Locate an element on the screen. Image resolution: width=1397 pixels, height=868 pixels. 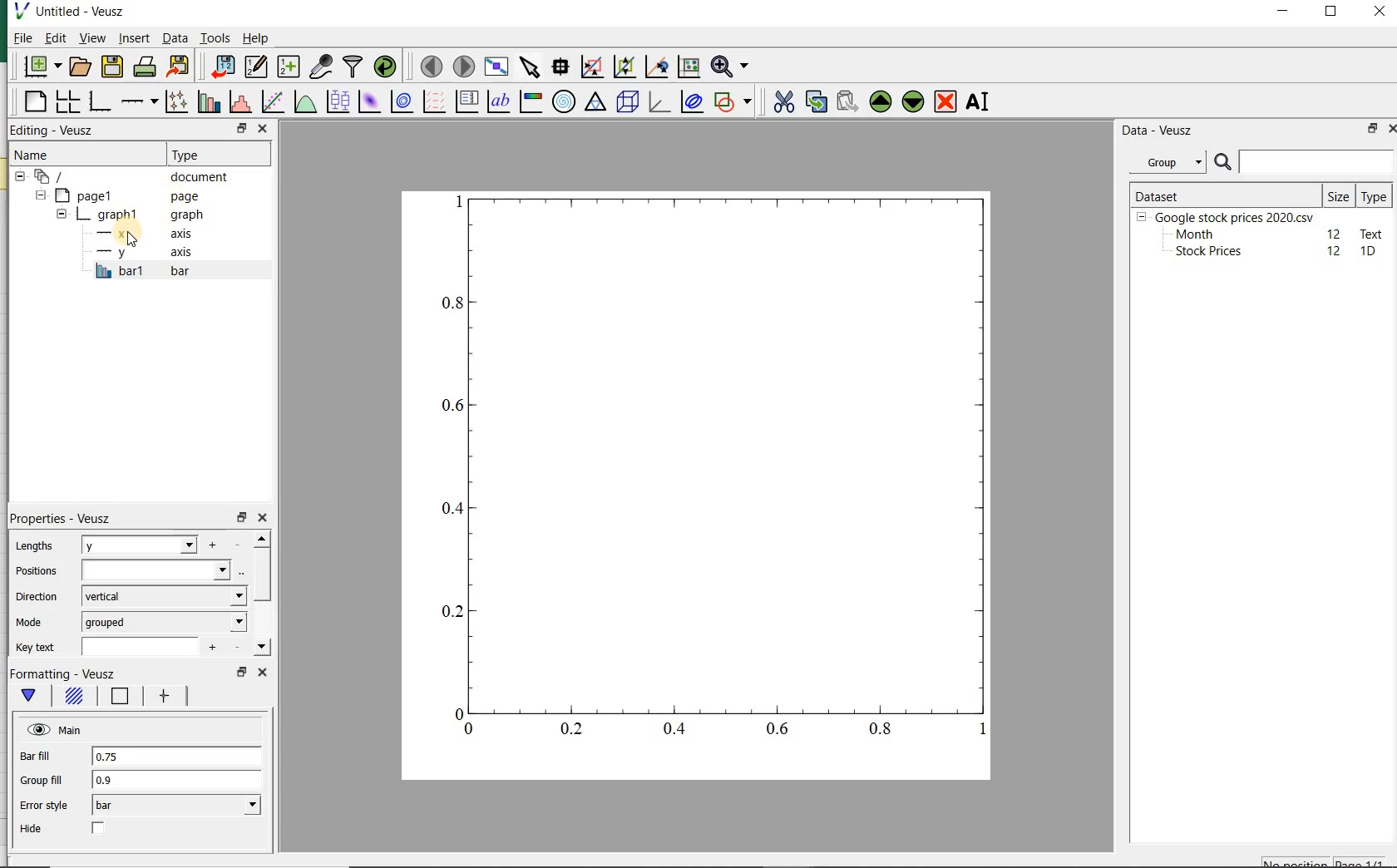
grouped is located at coordinates (164, 623).